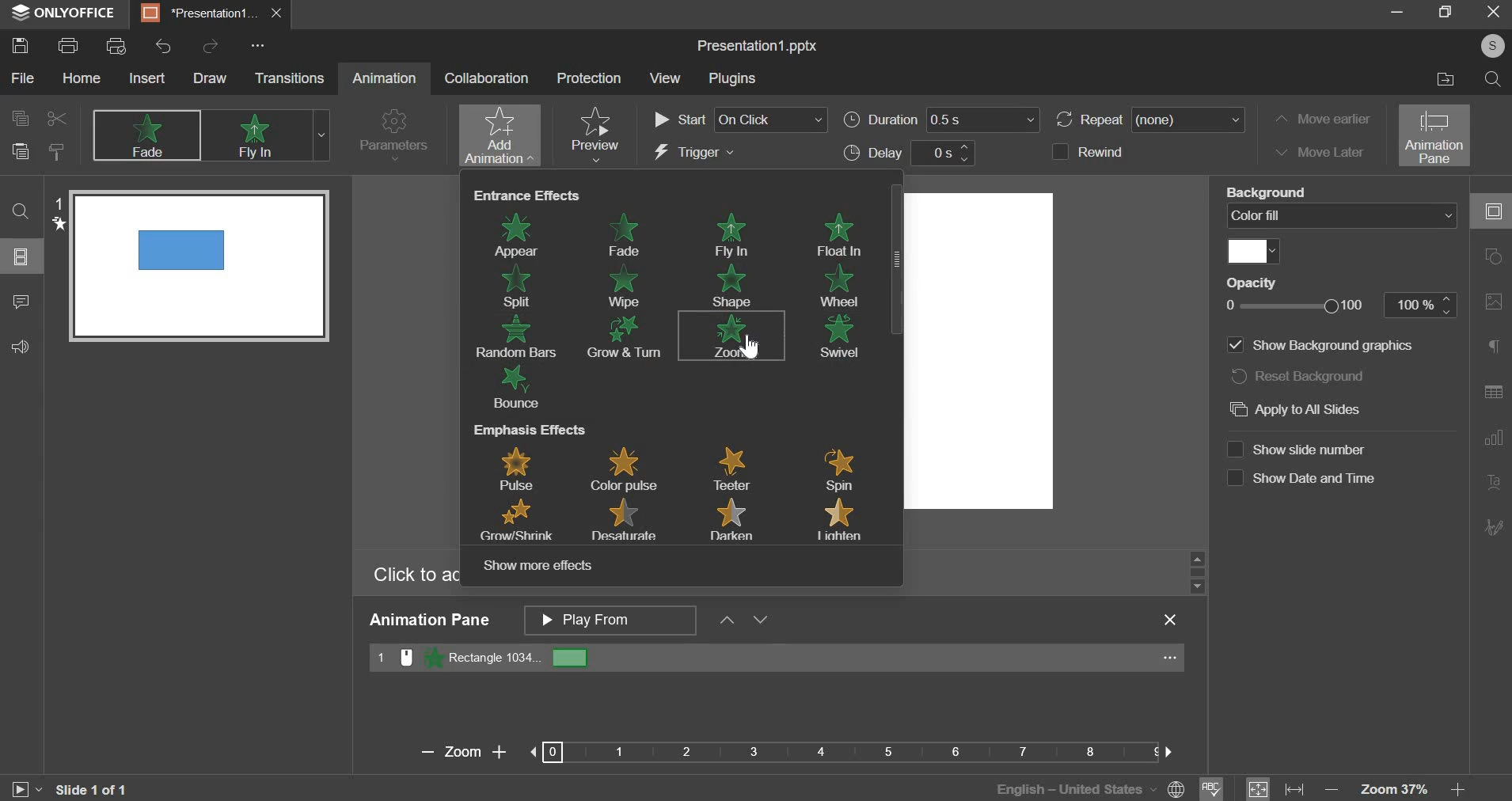 The width and height of the screenshot is (1512, 801). What do you see at coordinates (1152, 120) in the screenshot?
I see `repeat (none)` at bounding box center [1152, 120].